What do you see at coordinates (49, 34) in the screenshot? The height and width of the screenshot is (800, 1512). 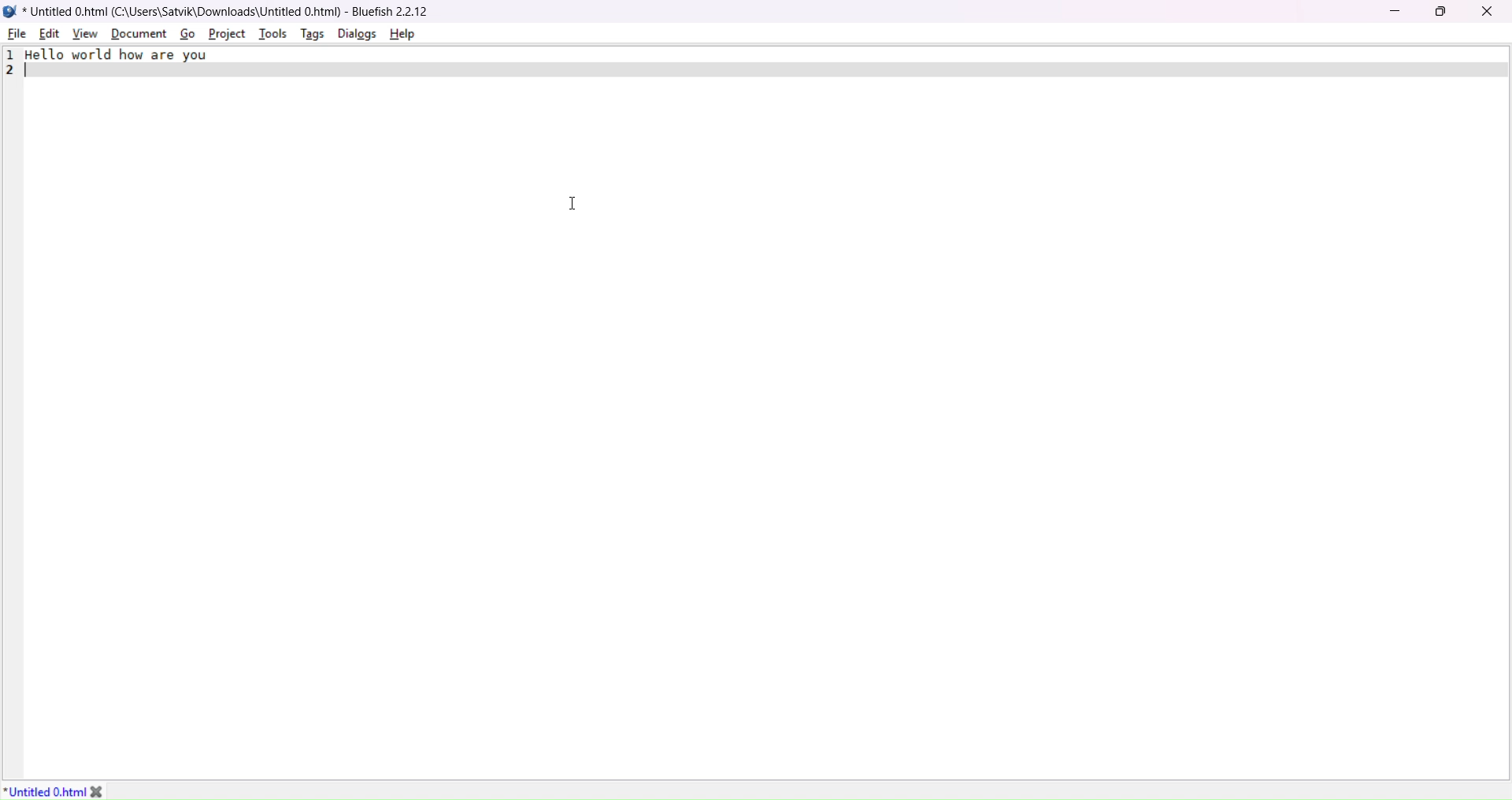 I see `edit` at bounding box center [49, 34].